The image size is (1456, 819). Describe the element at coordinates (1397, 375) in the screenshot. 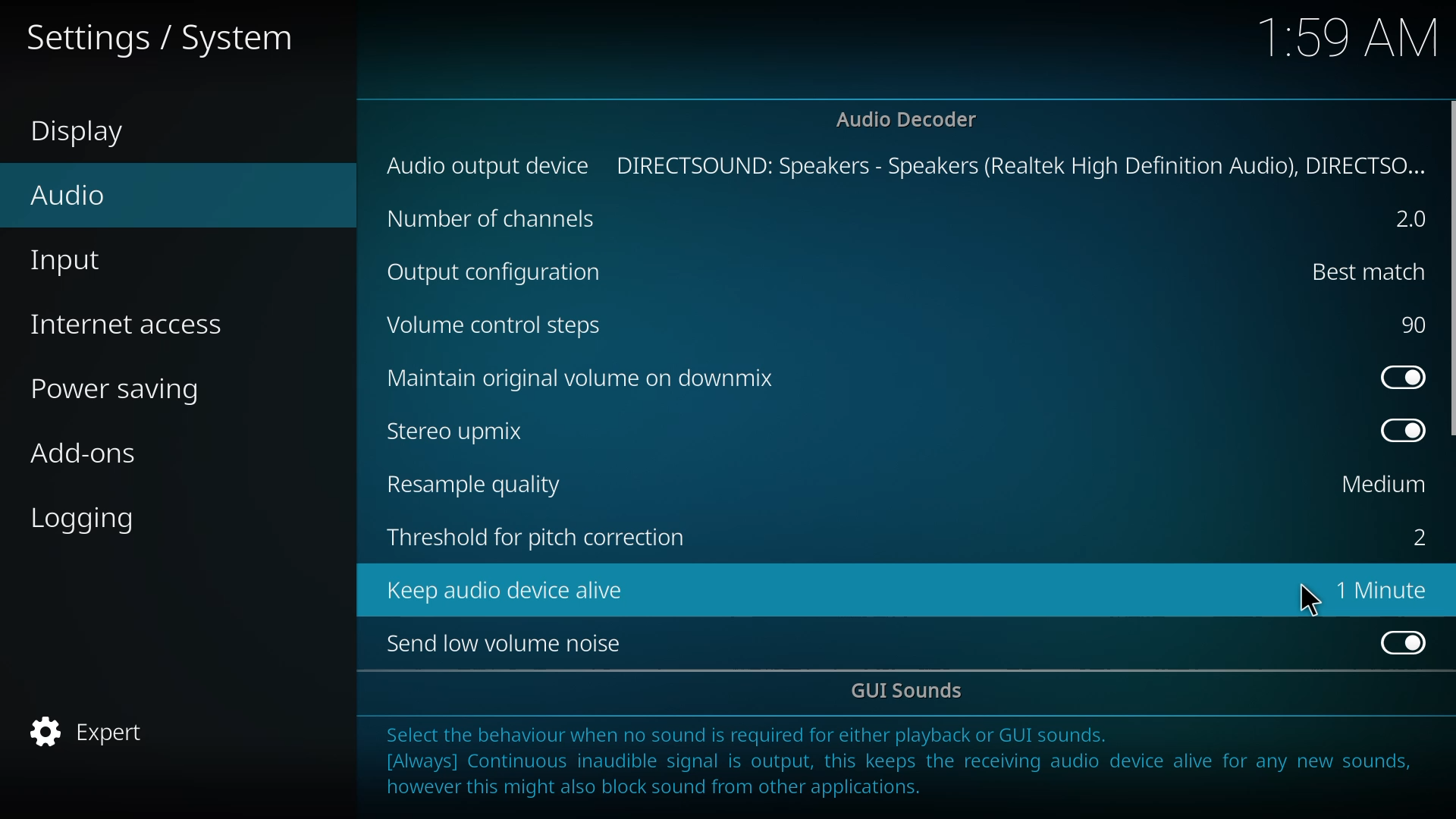

I see `enabled` at that location.